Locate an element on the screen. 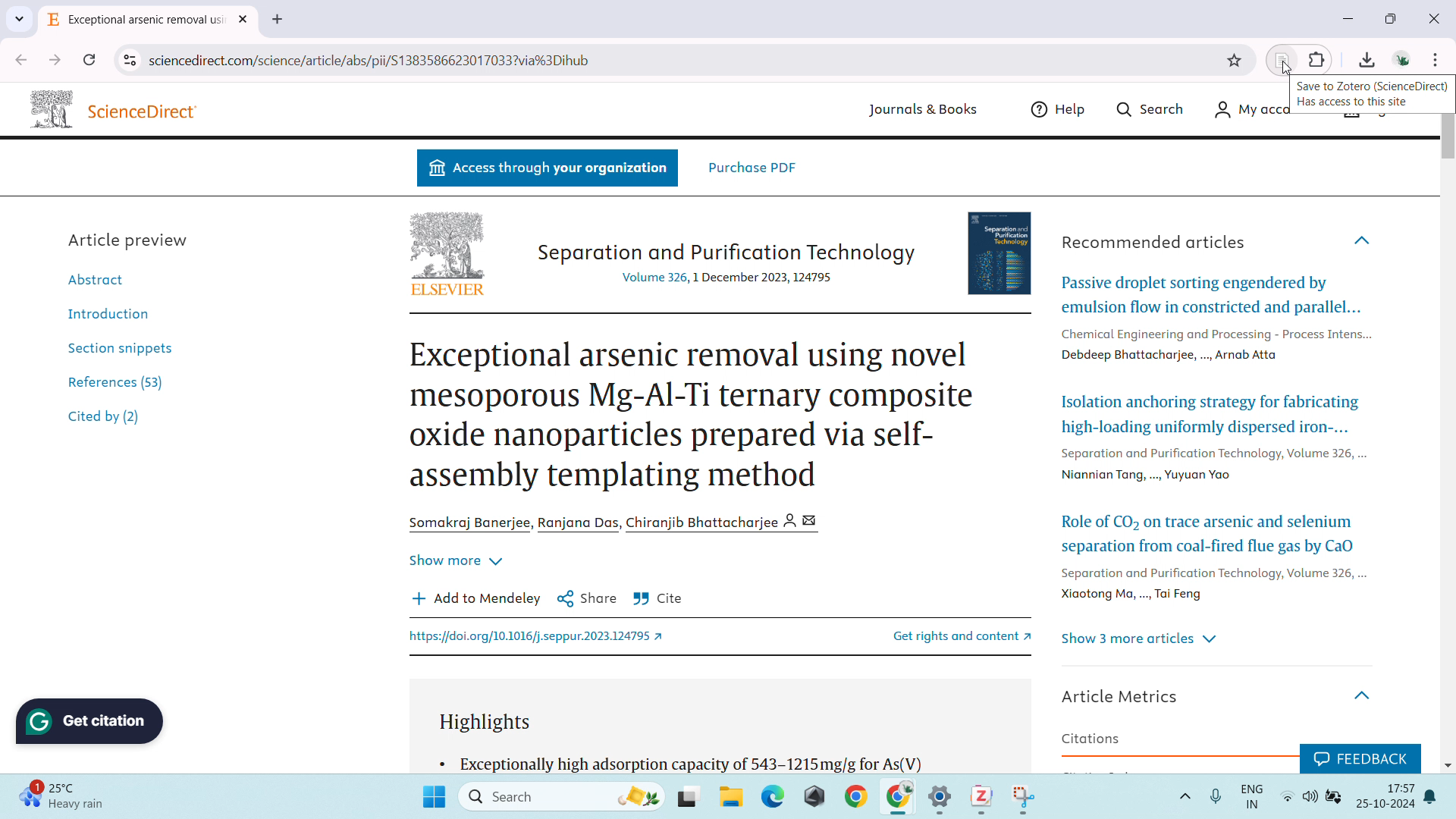  Highlights is located at coordinates (492, 723).